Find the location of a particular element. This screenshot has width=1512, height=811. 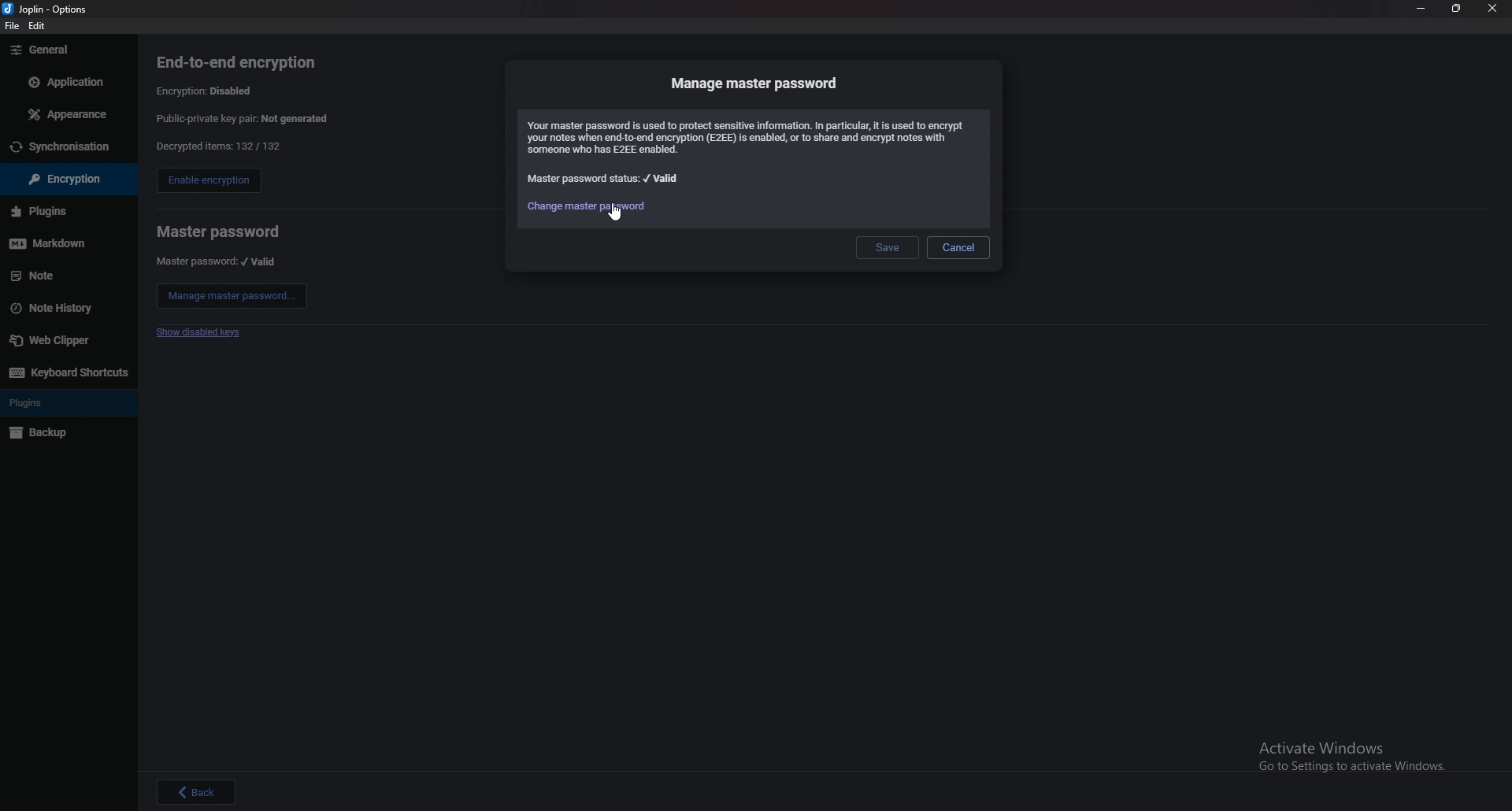

application is located at coordinates (64, 80).